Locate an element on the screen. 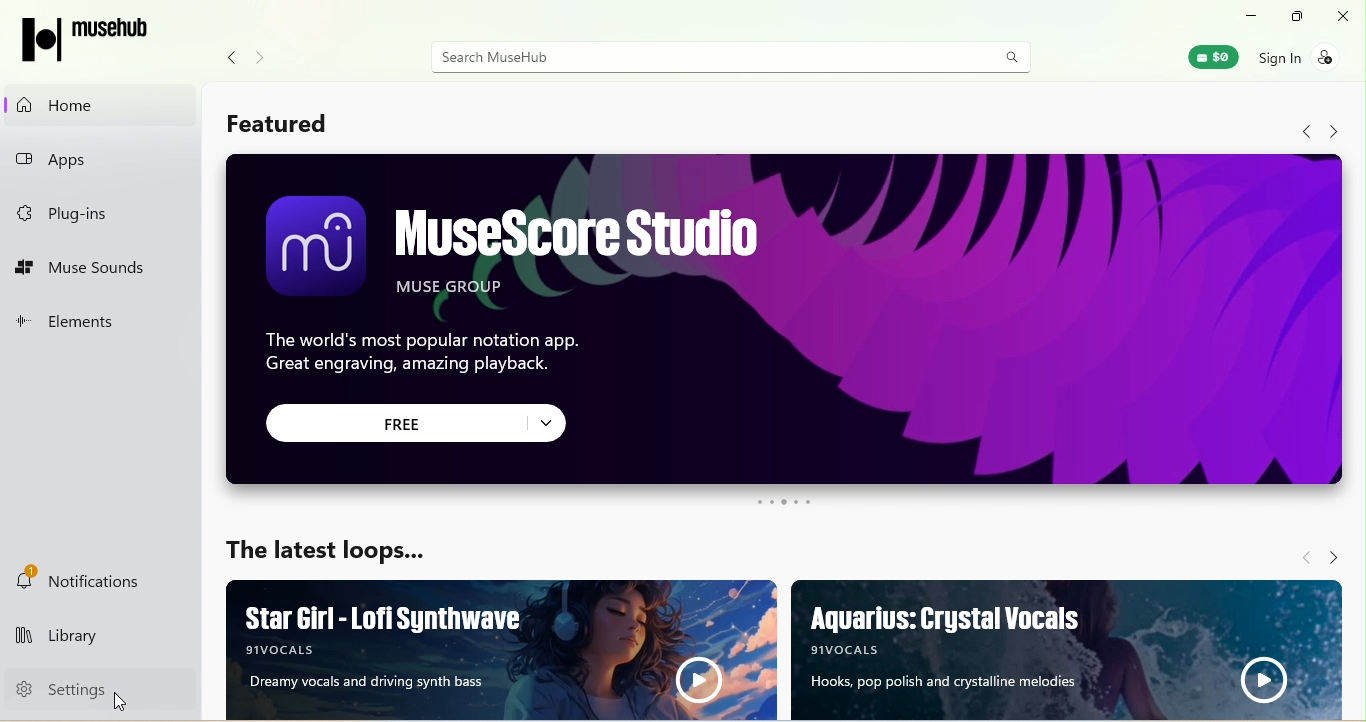  Navigate forward is located at coordinates (1332, 560).